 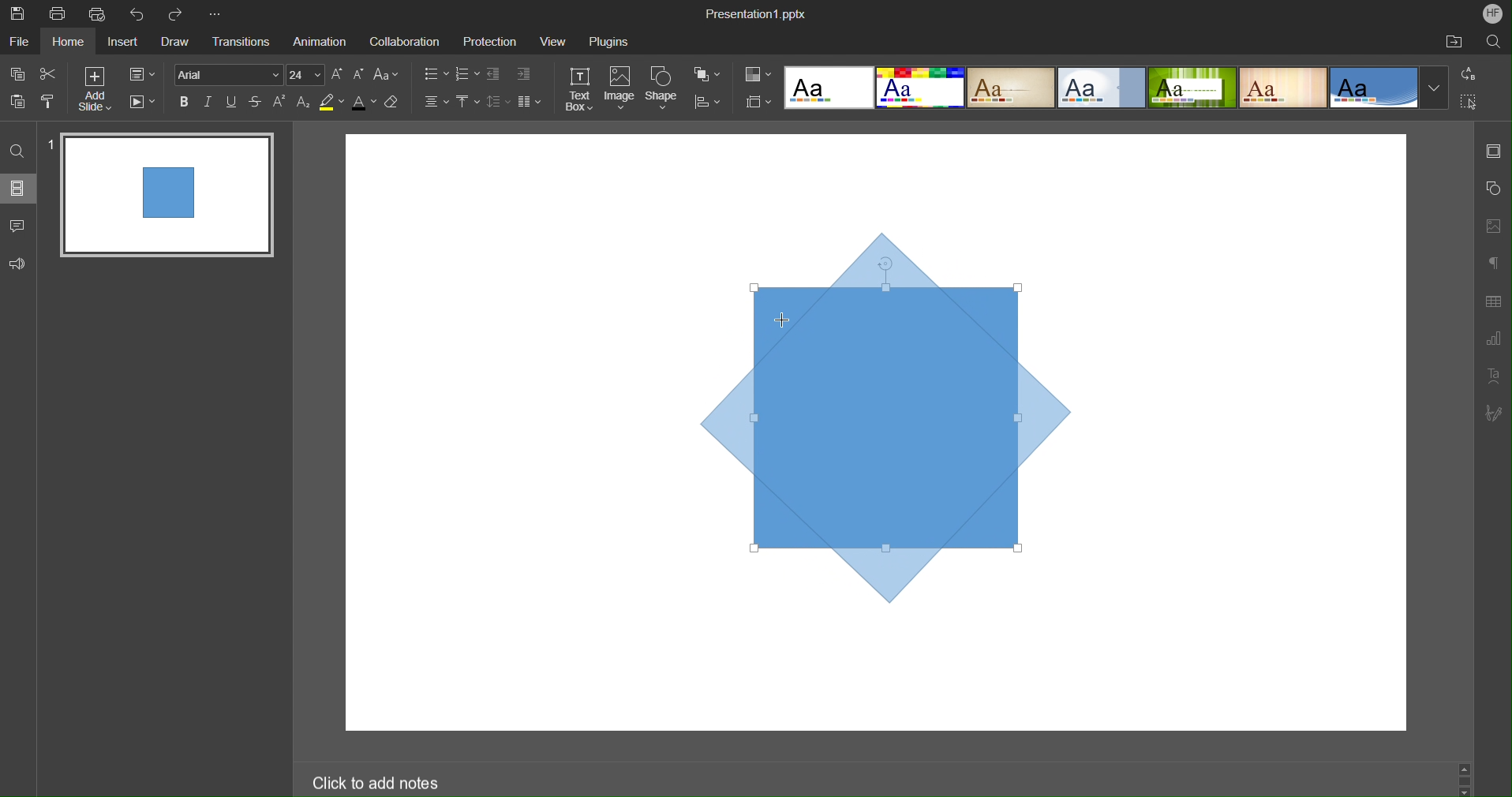 I want to click on Number List, so click(x=468, y=74).